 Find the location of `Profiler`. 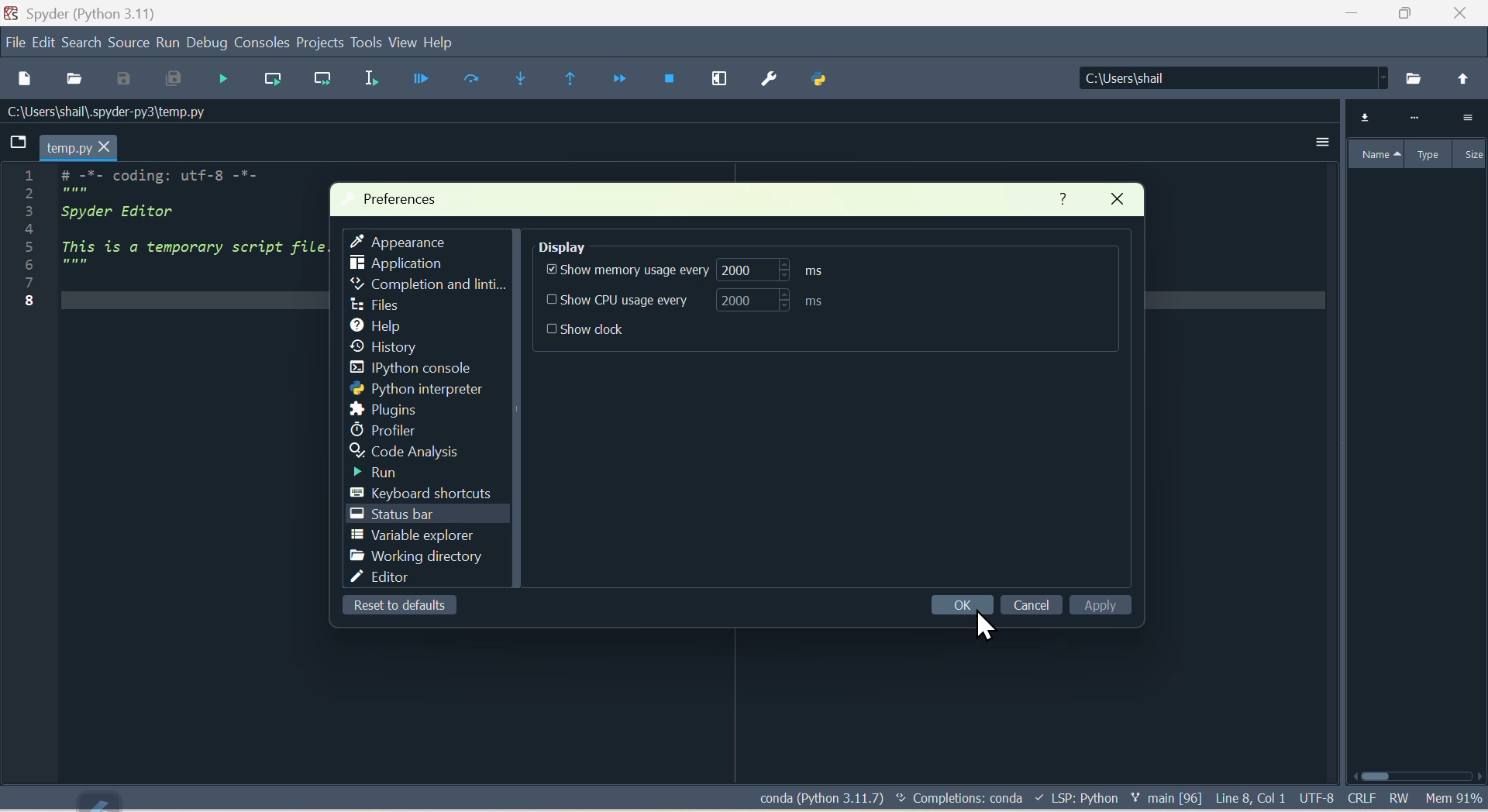

Profiler is located at coordinates (389, 431).